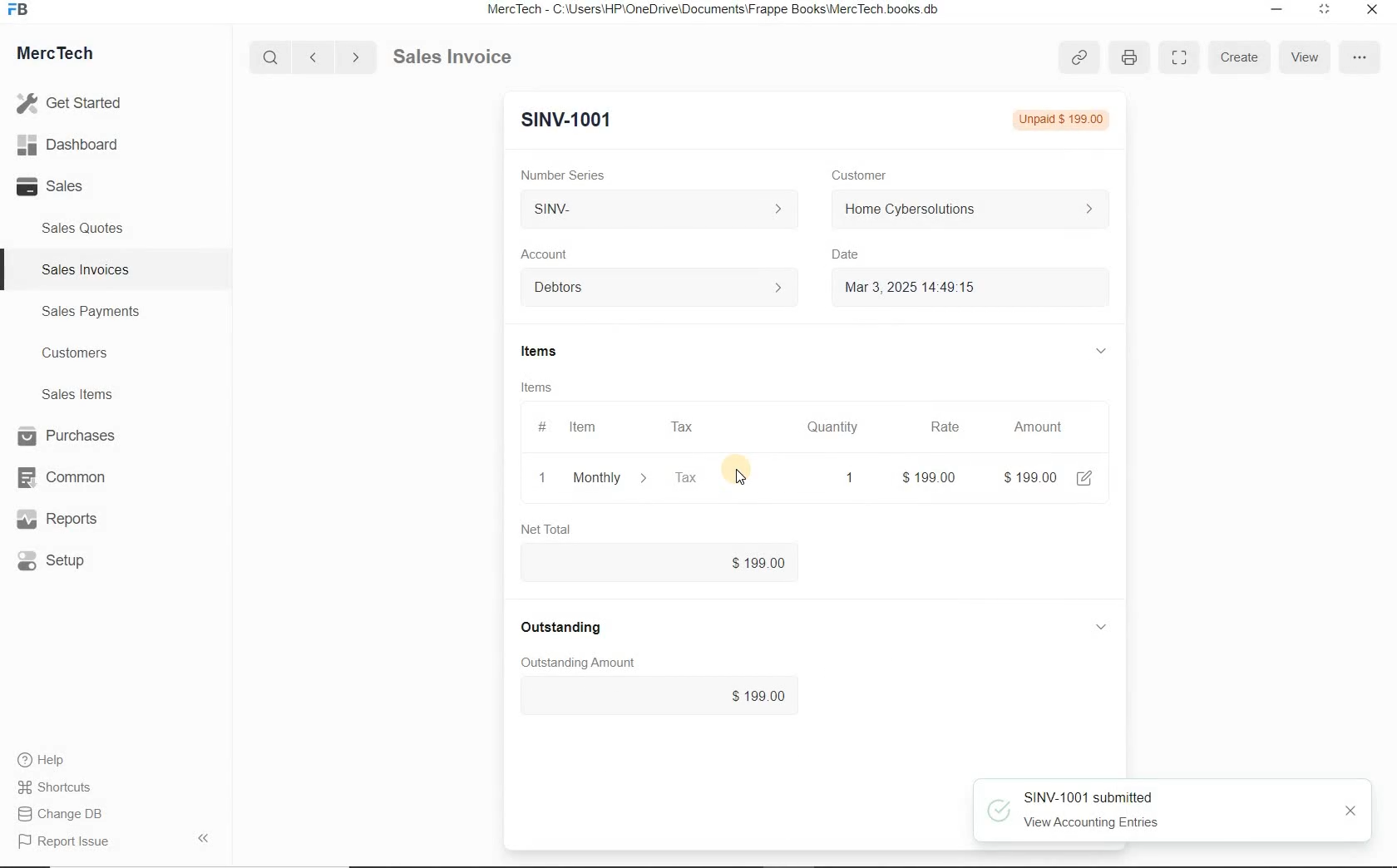  Describe the element at coordinates (930, 476) in the screenshot. I see `rate: $199.00` at that location.